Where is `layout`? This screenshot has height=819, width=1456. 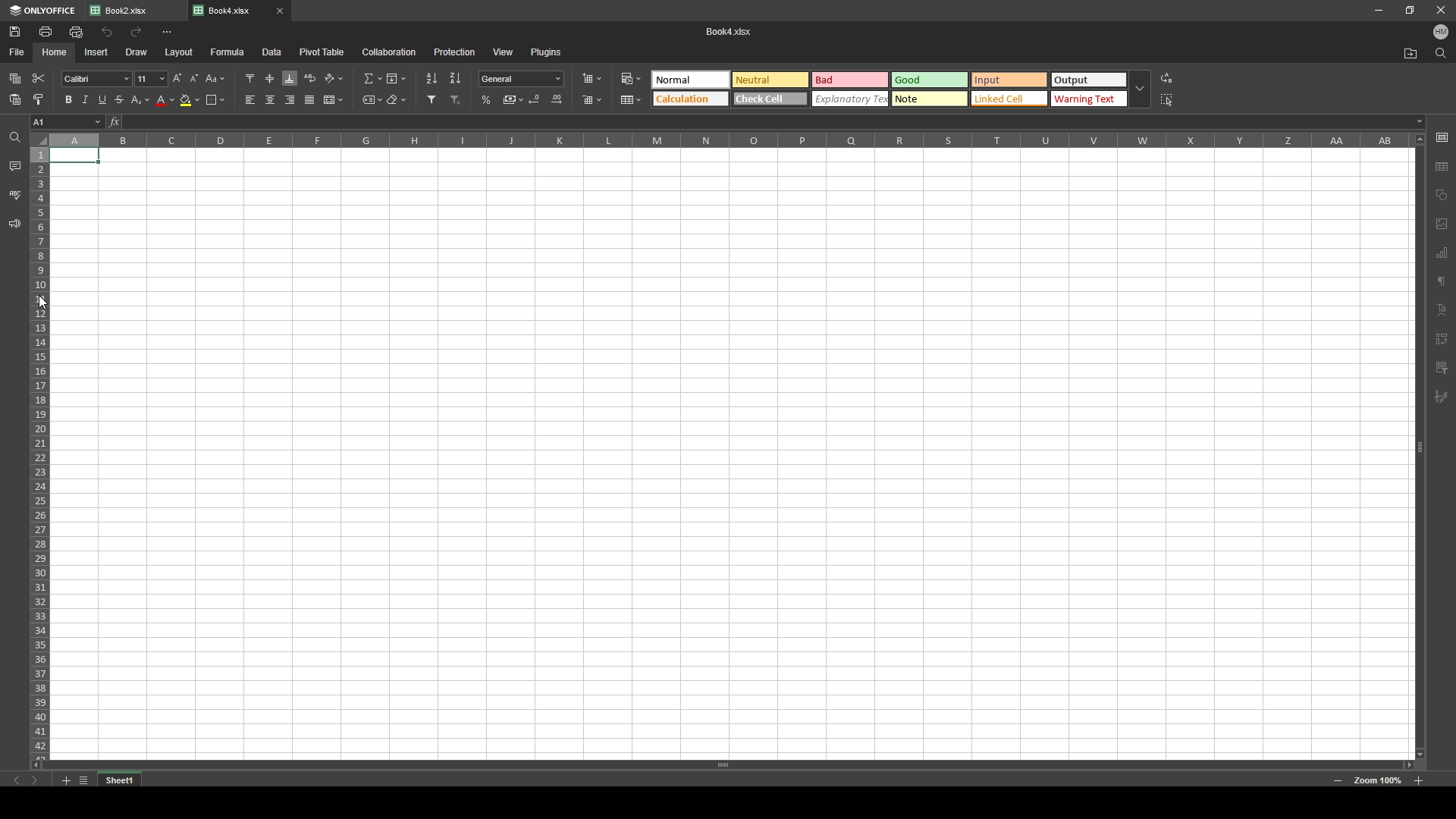
layout is located at coordinates (180, 52).